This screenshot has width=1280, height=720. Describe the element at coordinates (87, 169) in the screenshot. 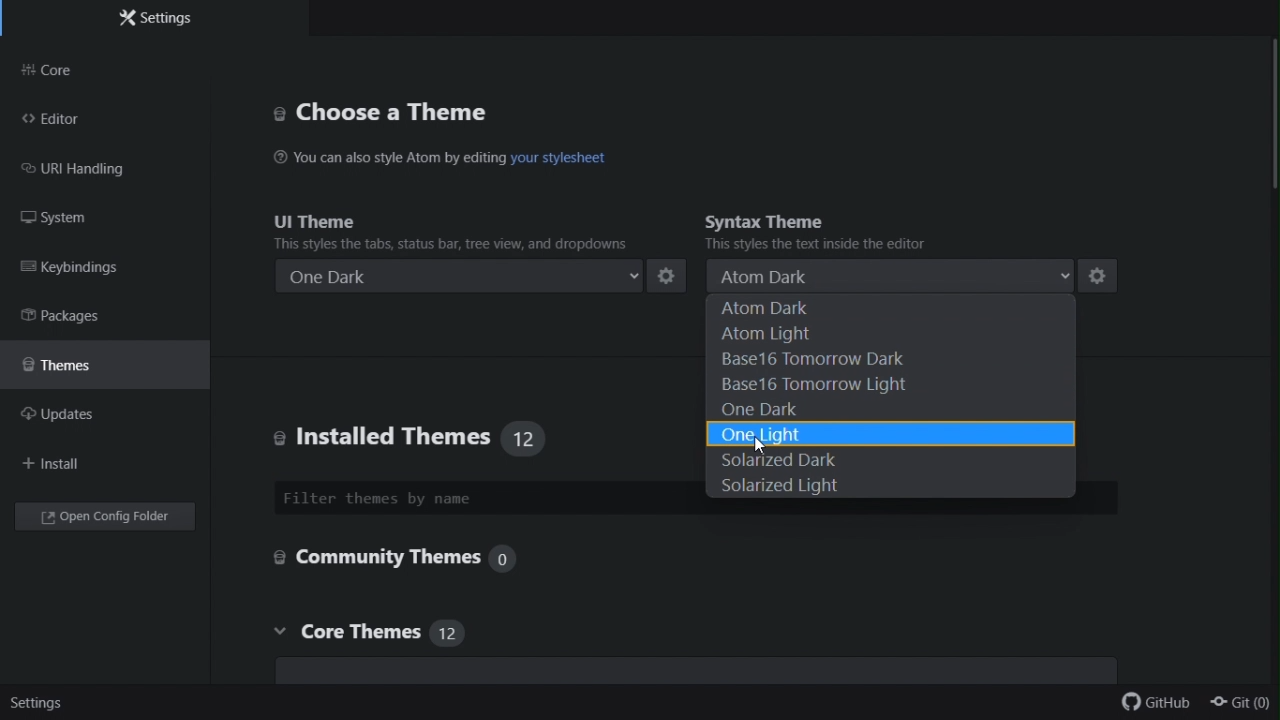

I see `FREE TRIAL EXPIREDURL handling` at that location.